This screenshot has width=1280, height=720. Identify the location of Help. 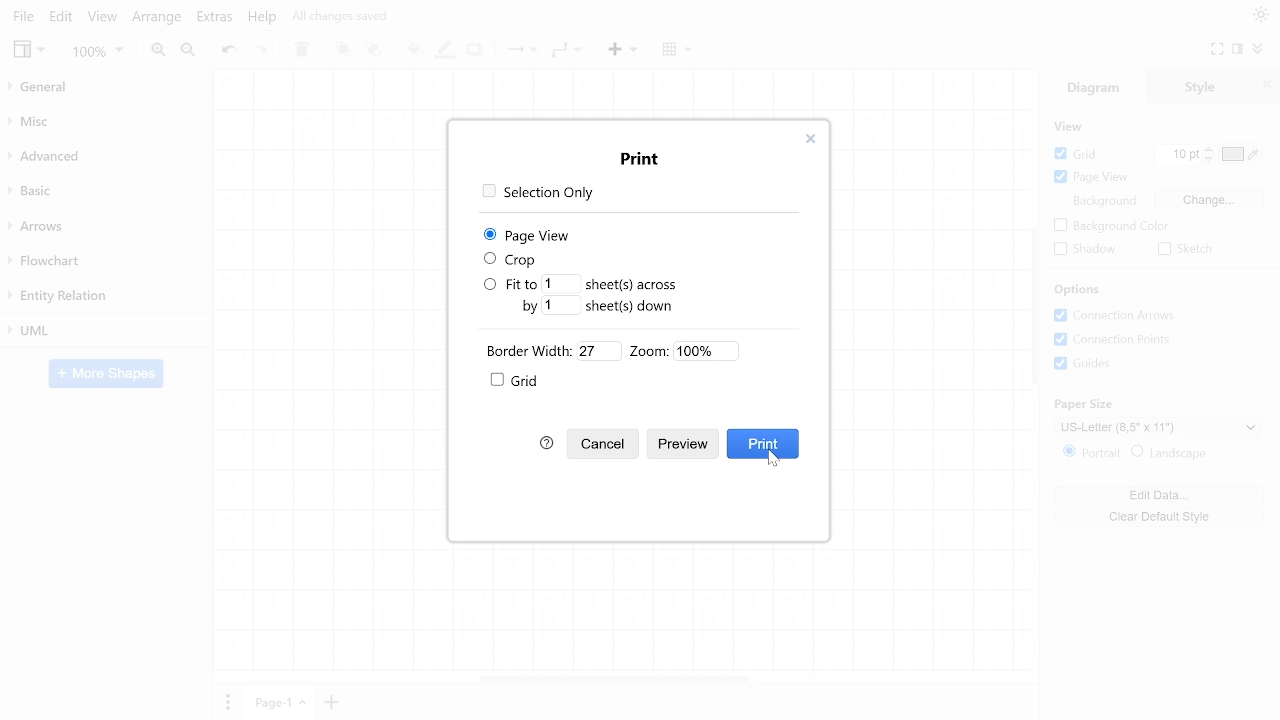
(262, 19).